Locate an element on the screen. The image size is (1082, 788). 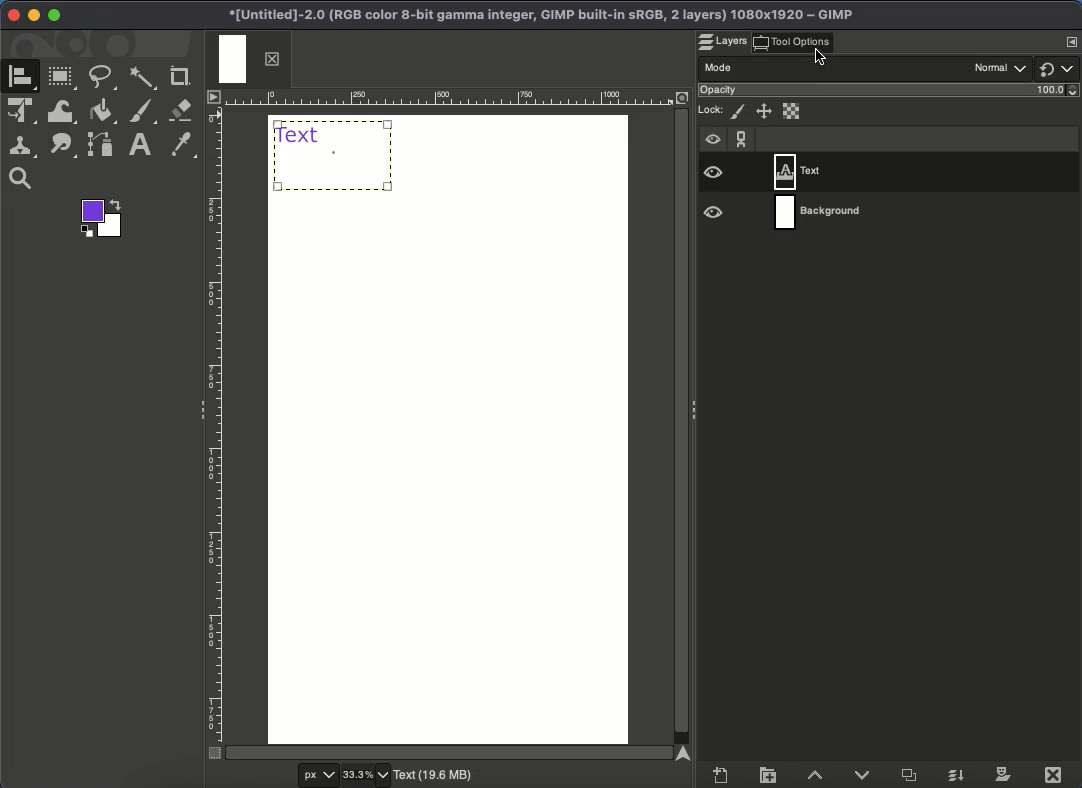
Mask is located at coordinates (1004, 775).